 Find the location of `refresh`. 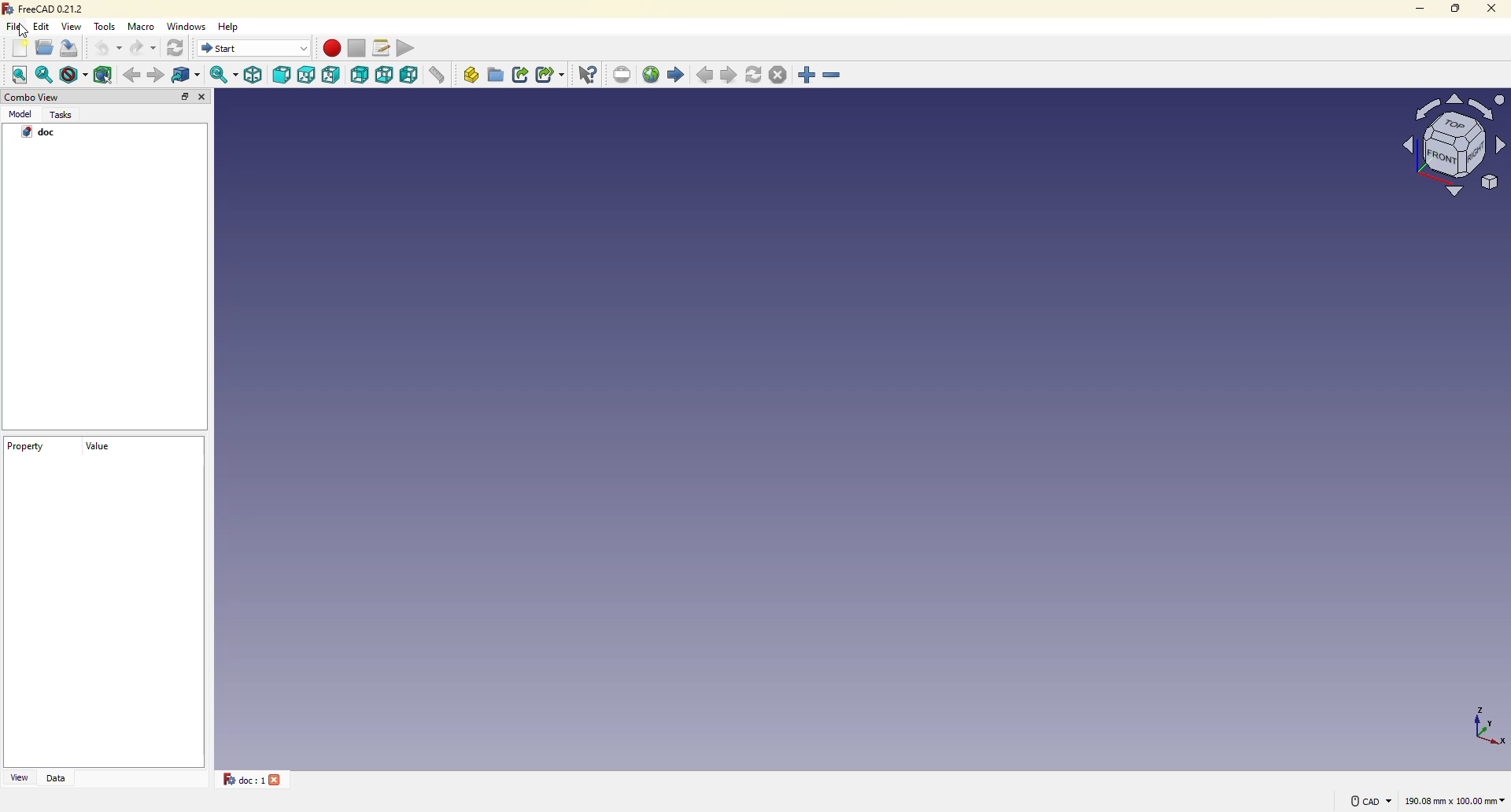

refresh is located at coordinates (178, 49).